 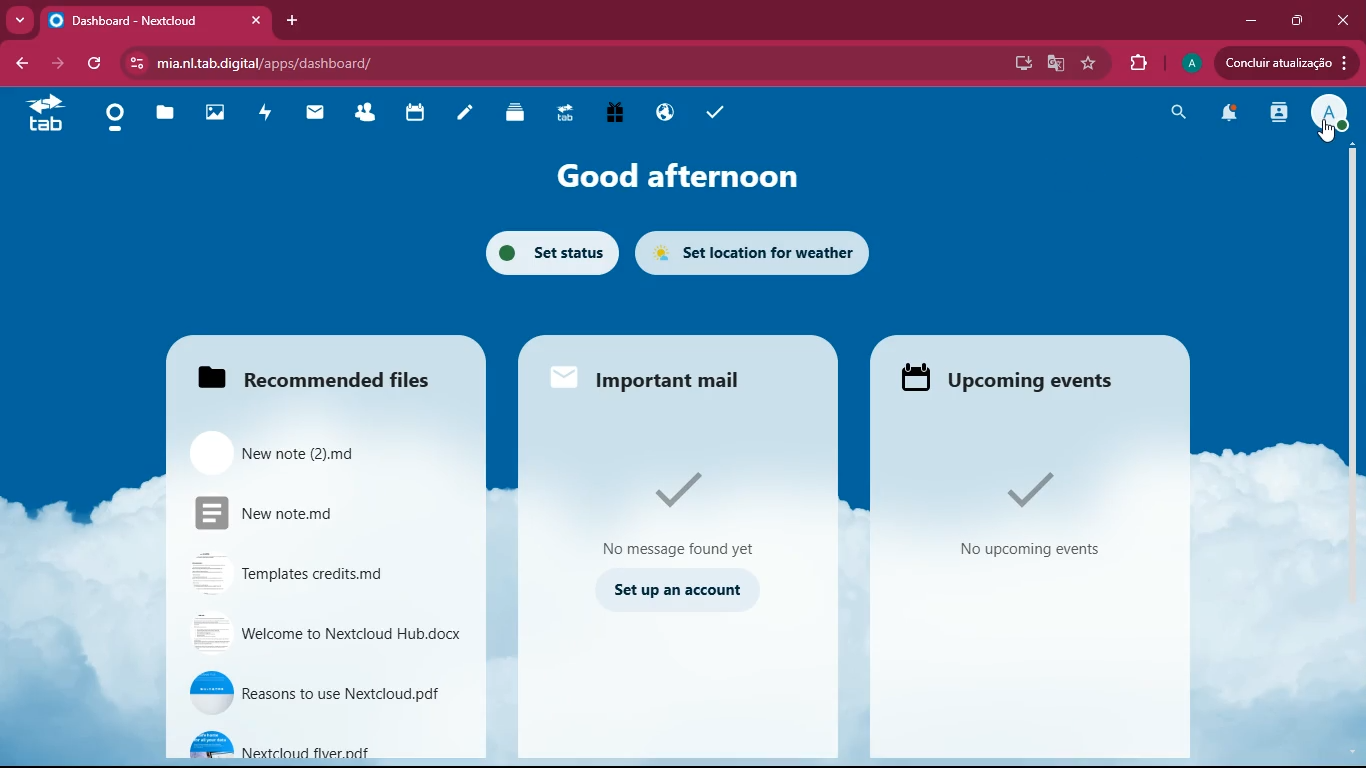 What do you see at coordinates (110, 121) in the screenshot?
I see `home` at bounding box center [110, 121].